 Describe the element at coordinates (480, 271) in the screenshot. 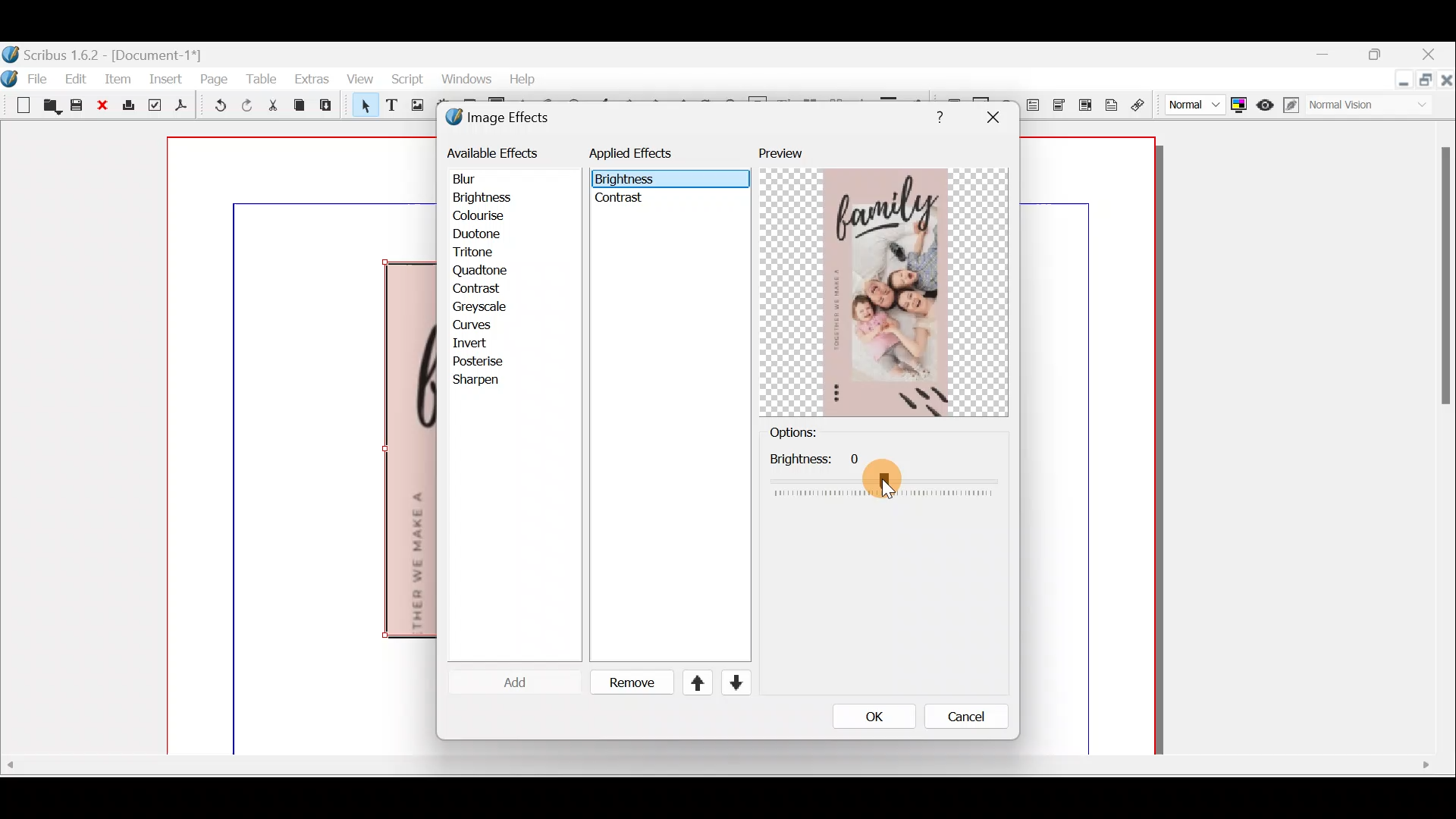

I see `Quatone` at that location.